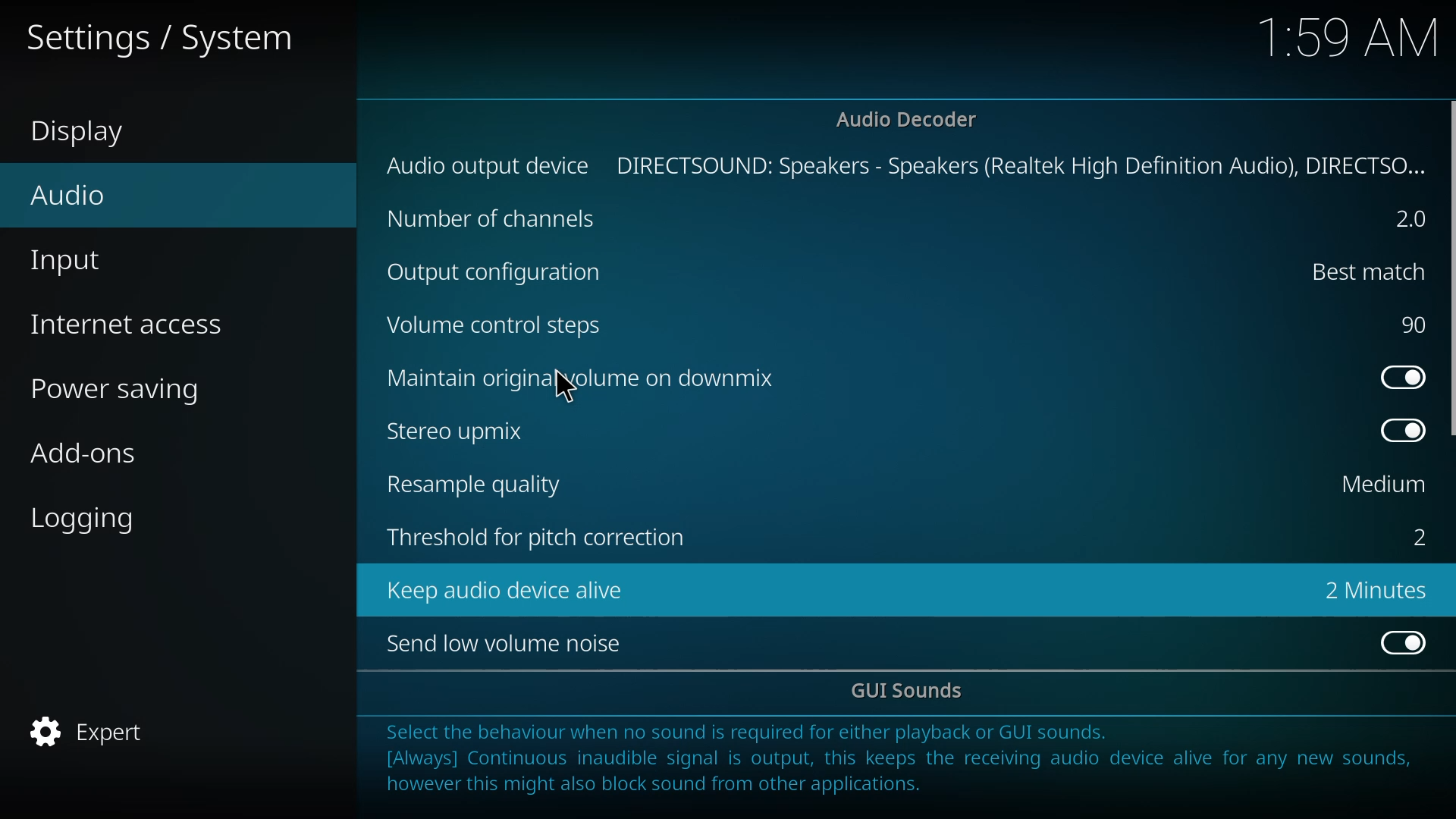 This screenshot has height=819, width=1456. Describe the element at coordinates (912, 692) in the screenshot. I see `gui sounds` at that location.